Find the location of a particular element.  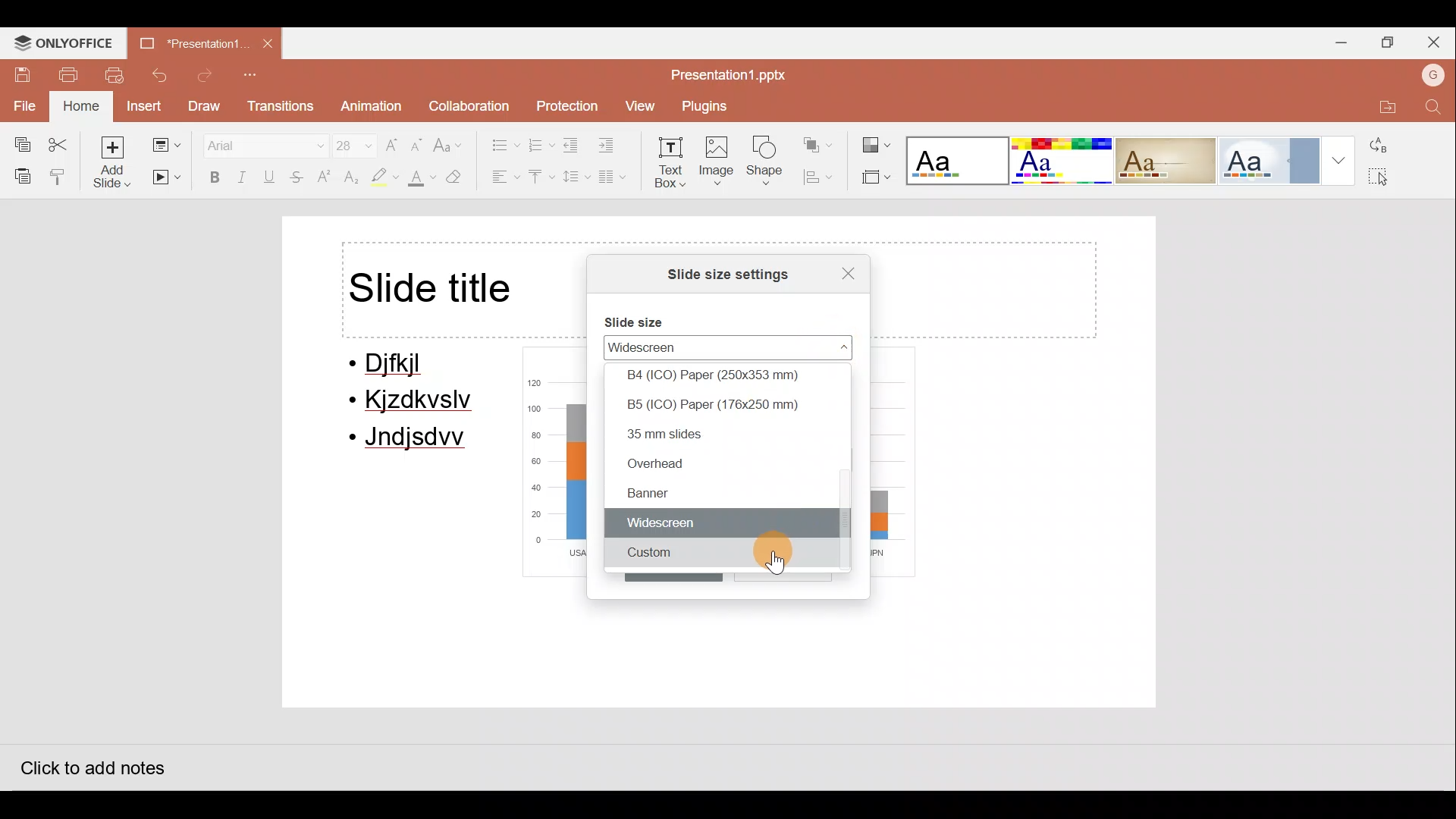

Strikethrough is located at coordinates (298, 179).